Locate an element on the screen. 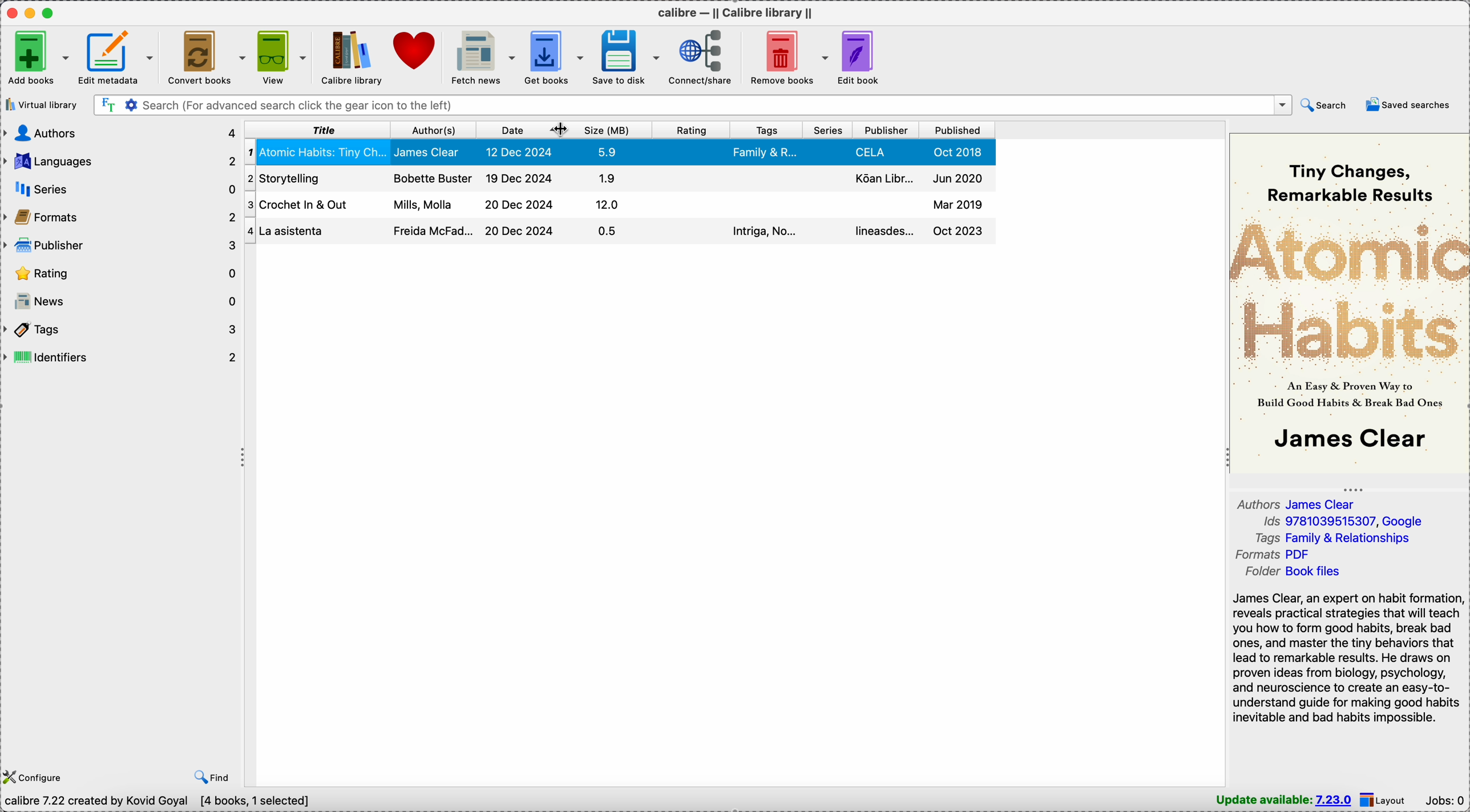  published is located at coordinates (959, 131).